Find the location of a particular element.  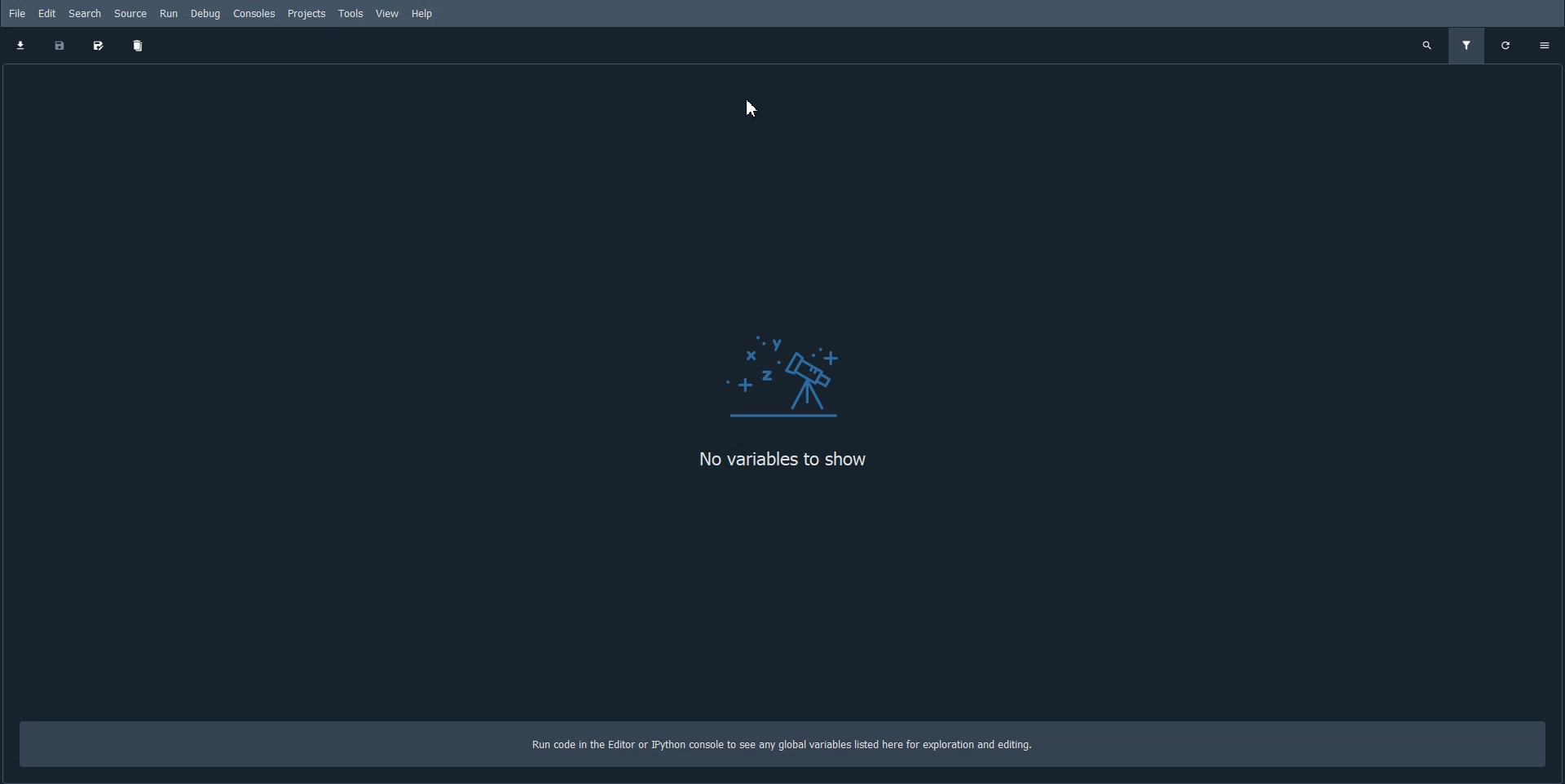

No variables to show is located at coordinates (793, 461).